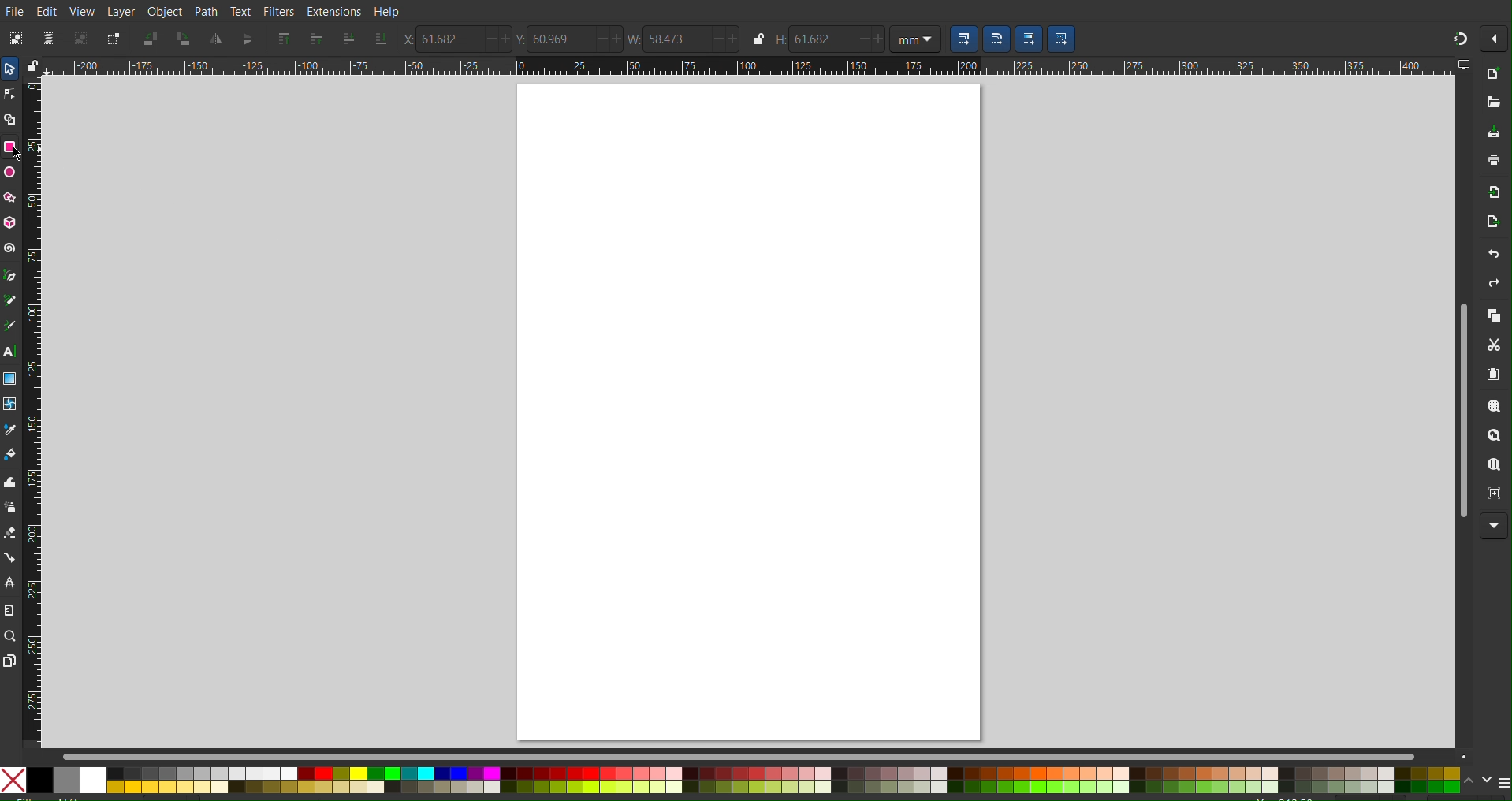 The width and height of the screenshot is (1512, 801). Describe the element at coordinates (120, 10) in the screenshot. I see `Layer` at that location.